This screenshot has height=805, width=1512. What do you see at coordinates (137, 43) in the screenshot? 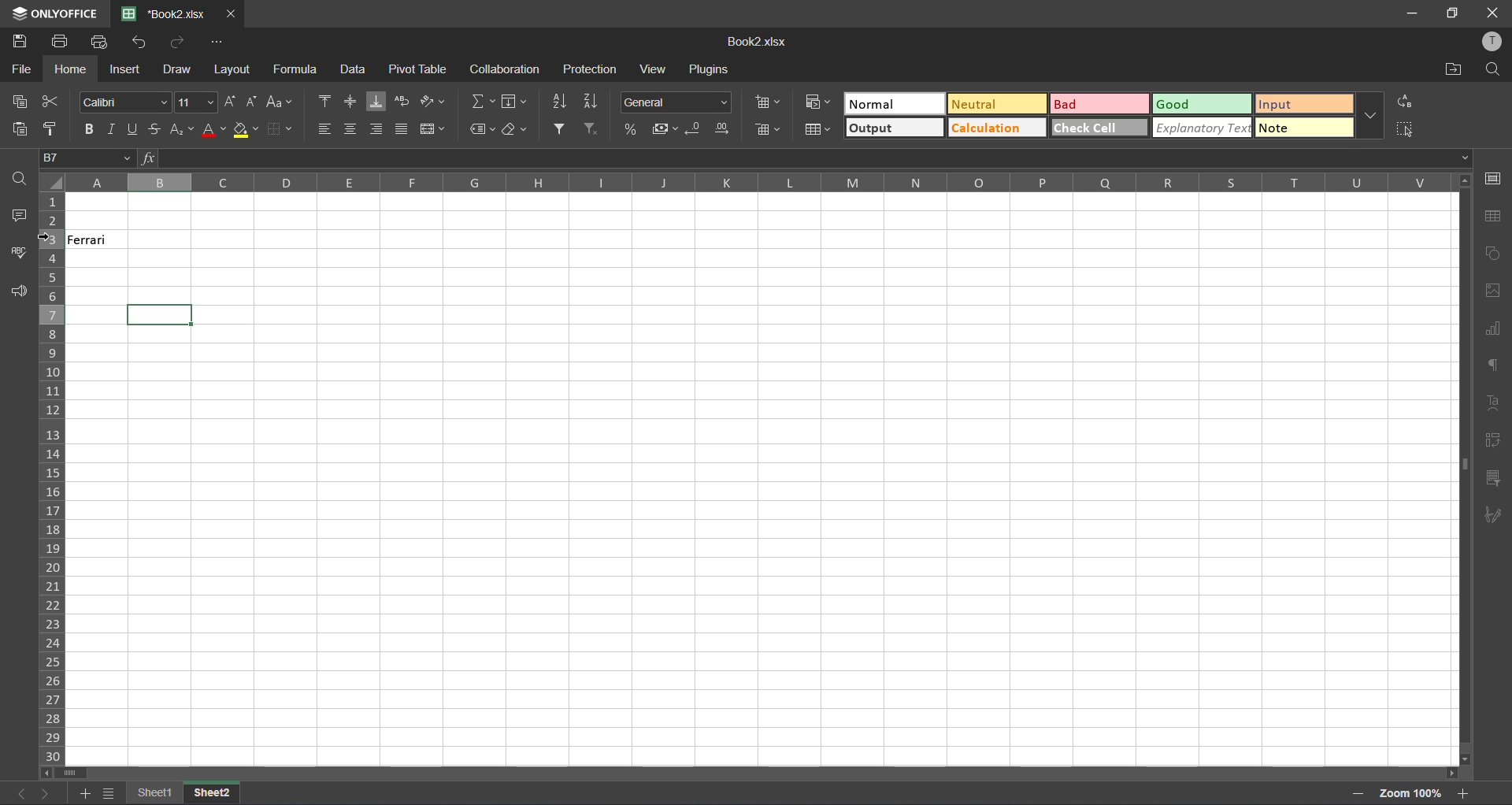
I see `undo` at bounding box center [137, 43].